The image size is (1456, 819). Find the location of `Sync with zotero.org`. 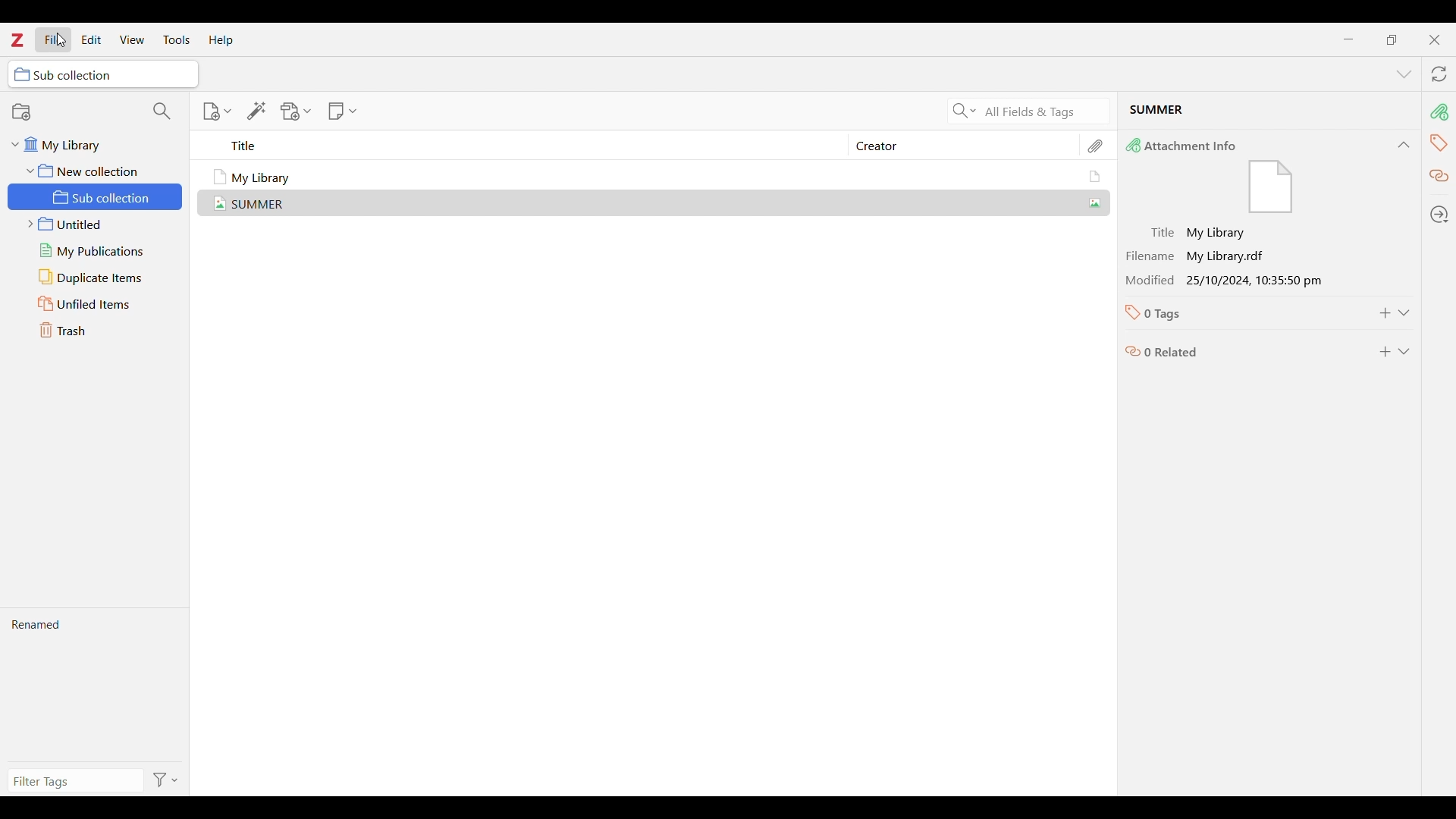

Sync with zotero.org is located at coordinates (1440, 74).